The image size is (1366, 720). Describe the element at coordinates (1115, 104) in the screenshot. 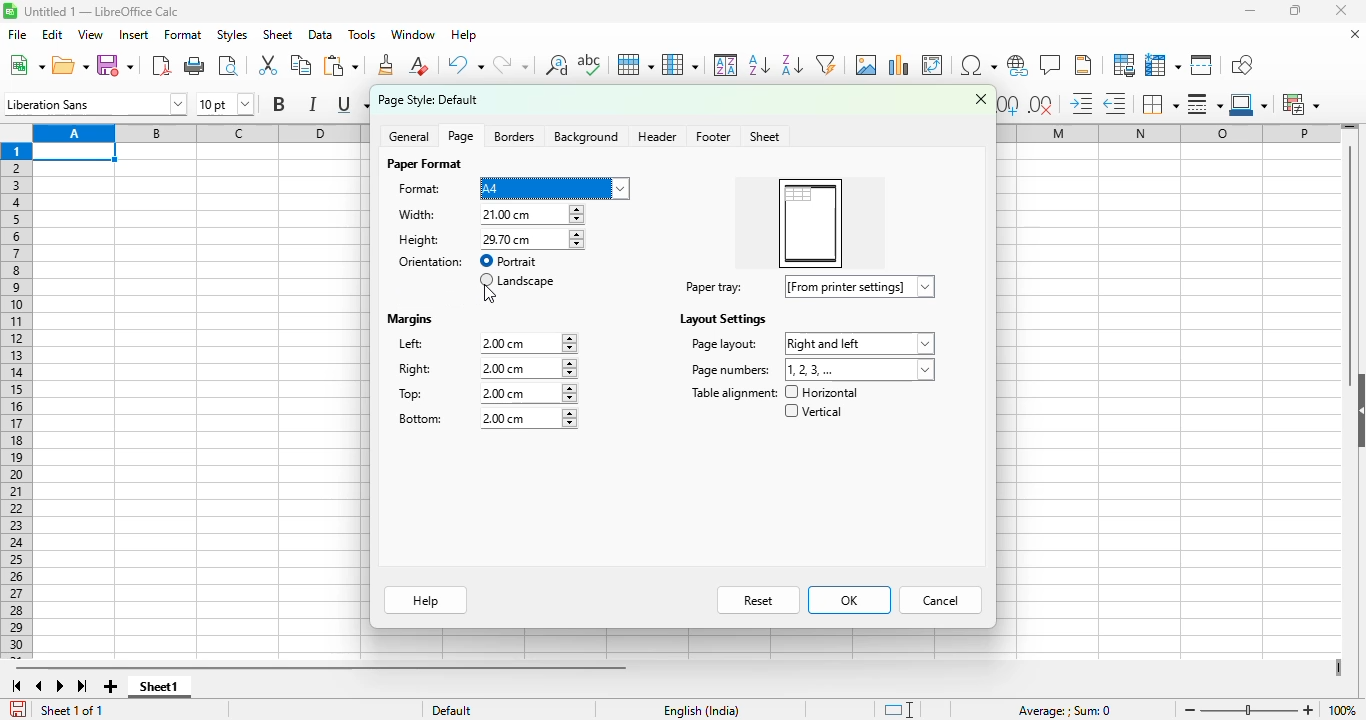

I see `decrease indent` at that location.